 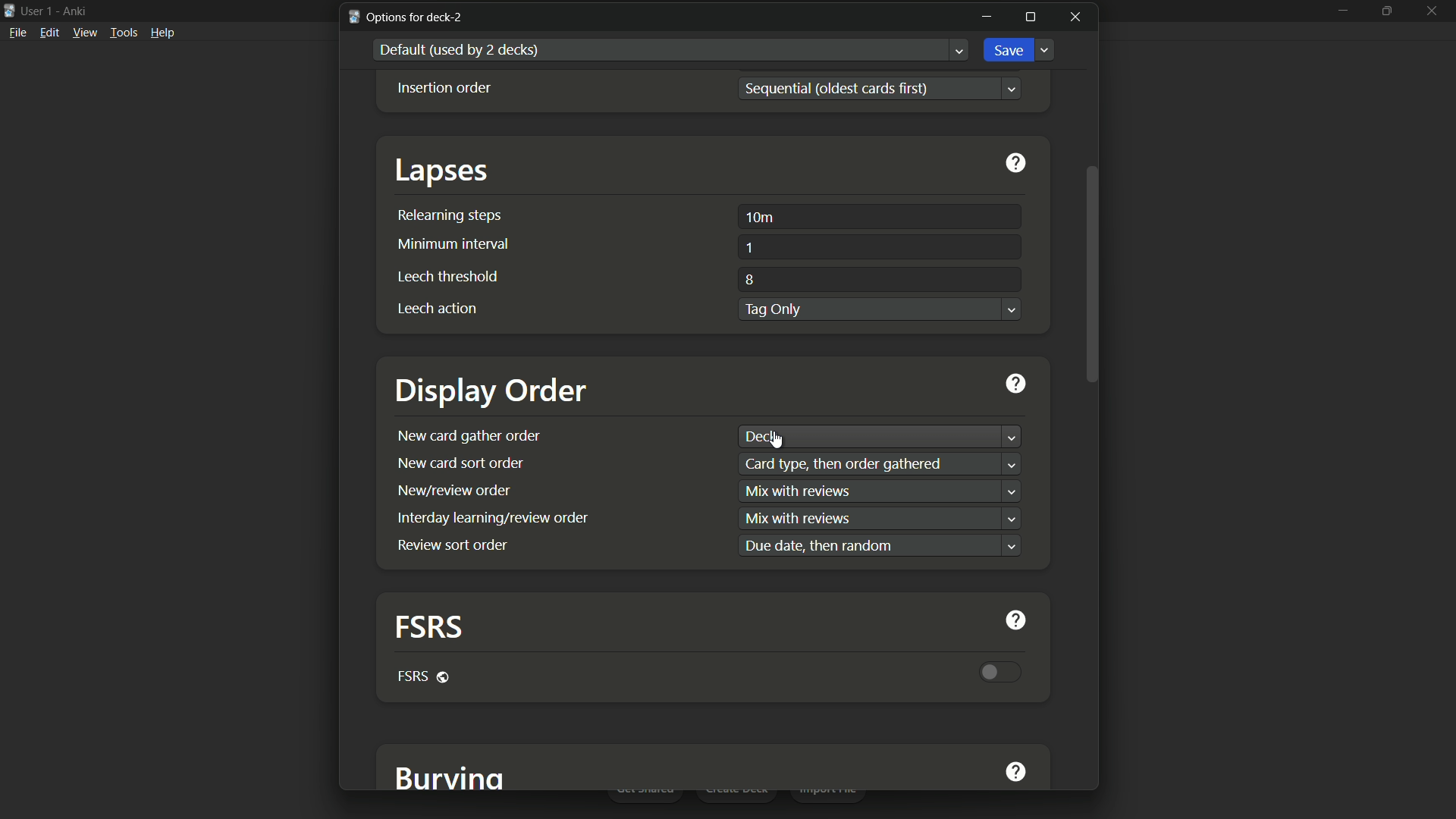 What do you see at coordinates (411, 17) in the screenshot?
I see `options for deck-2` at bounding box center [411, 17].